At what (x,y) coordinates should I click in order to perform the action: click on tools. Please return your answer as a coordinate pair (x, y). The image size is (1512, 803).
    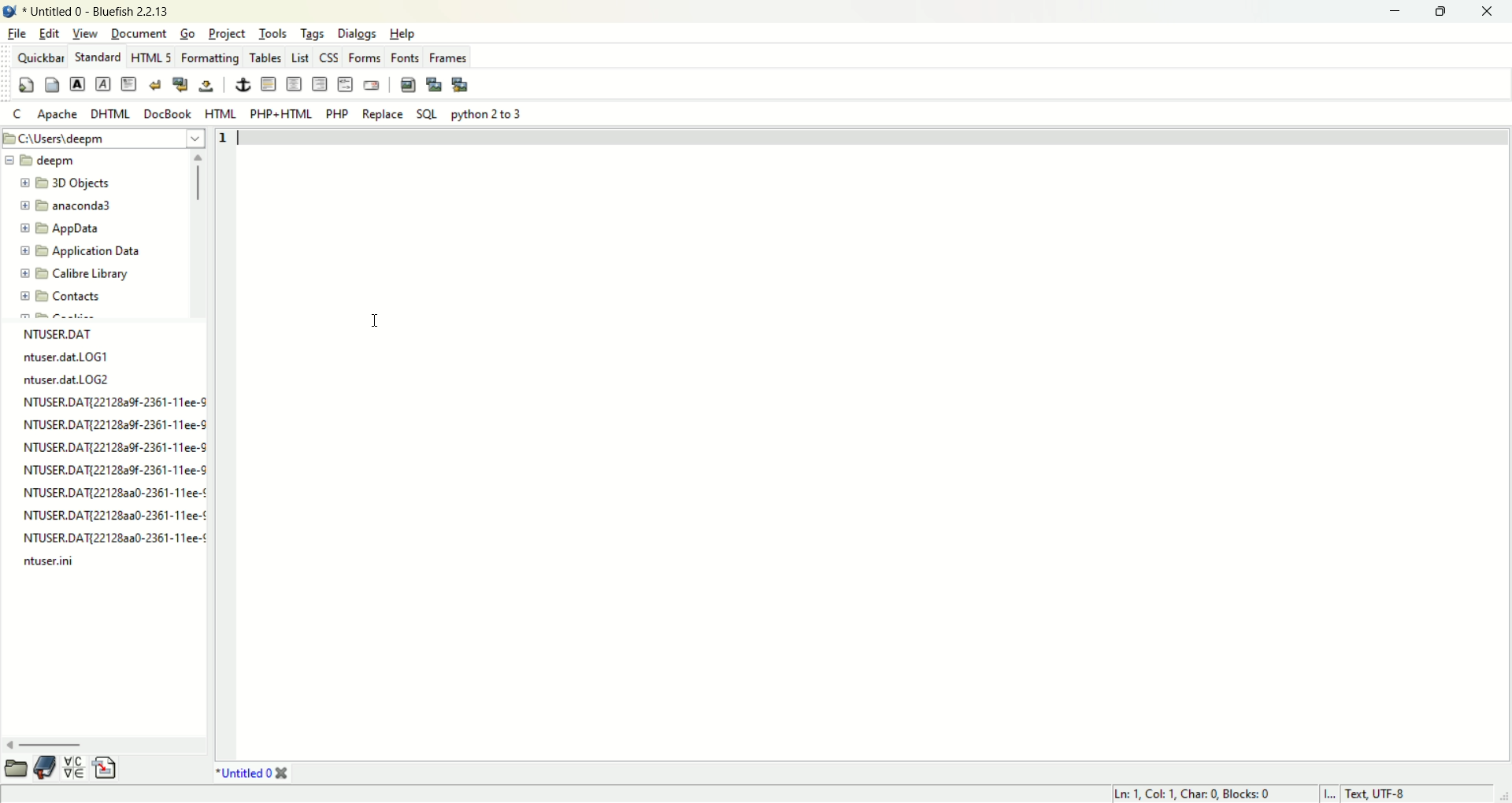
    Looking at the image, I should click on (274, 32).